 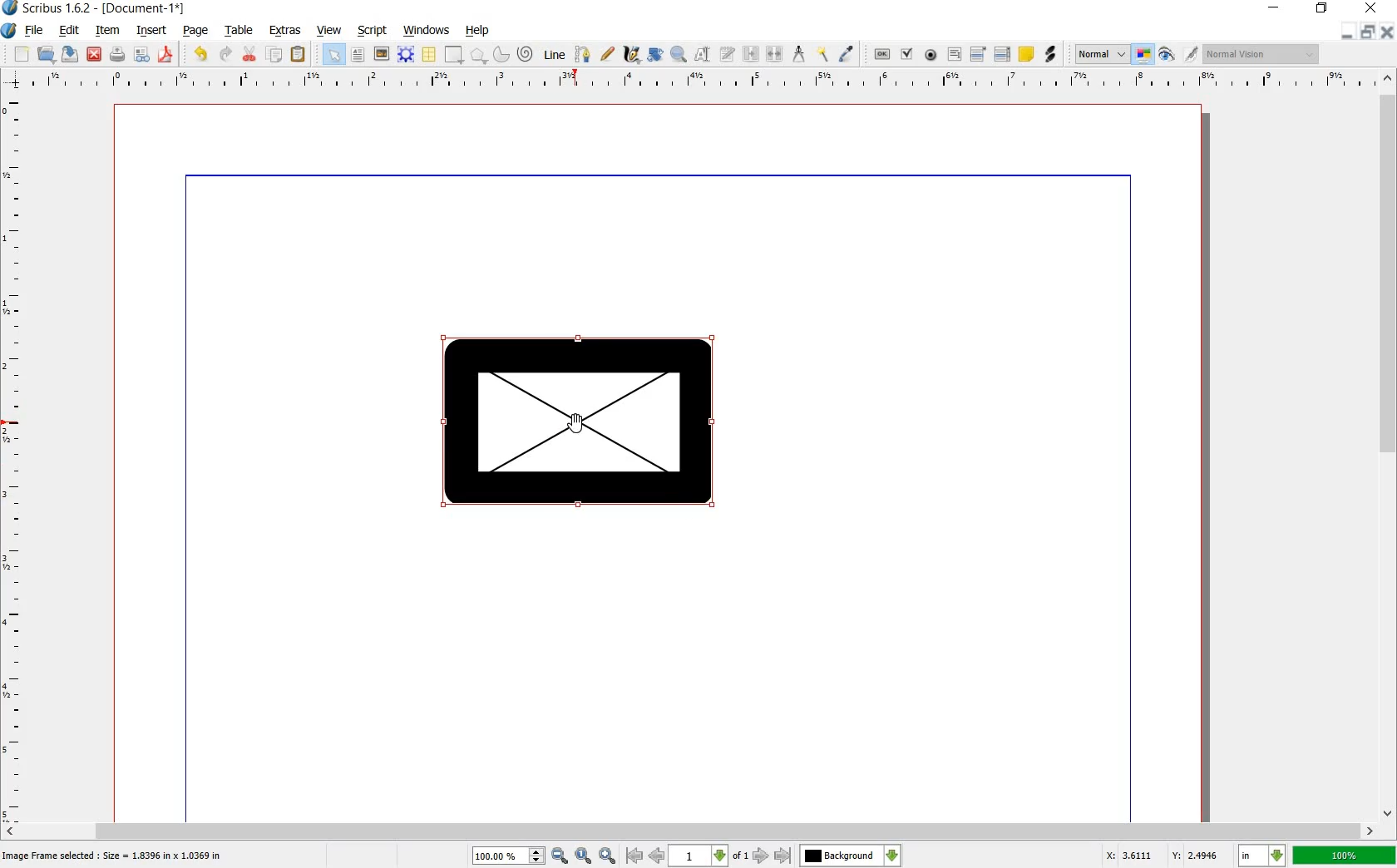 What do you see at coordinates (8, 31) in the screenshot?
I see `application logo` at bounding box center [8, 31].